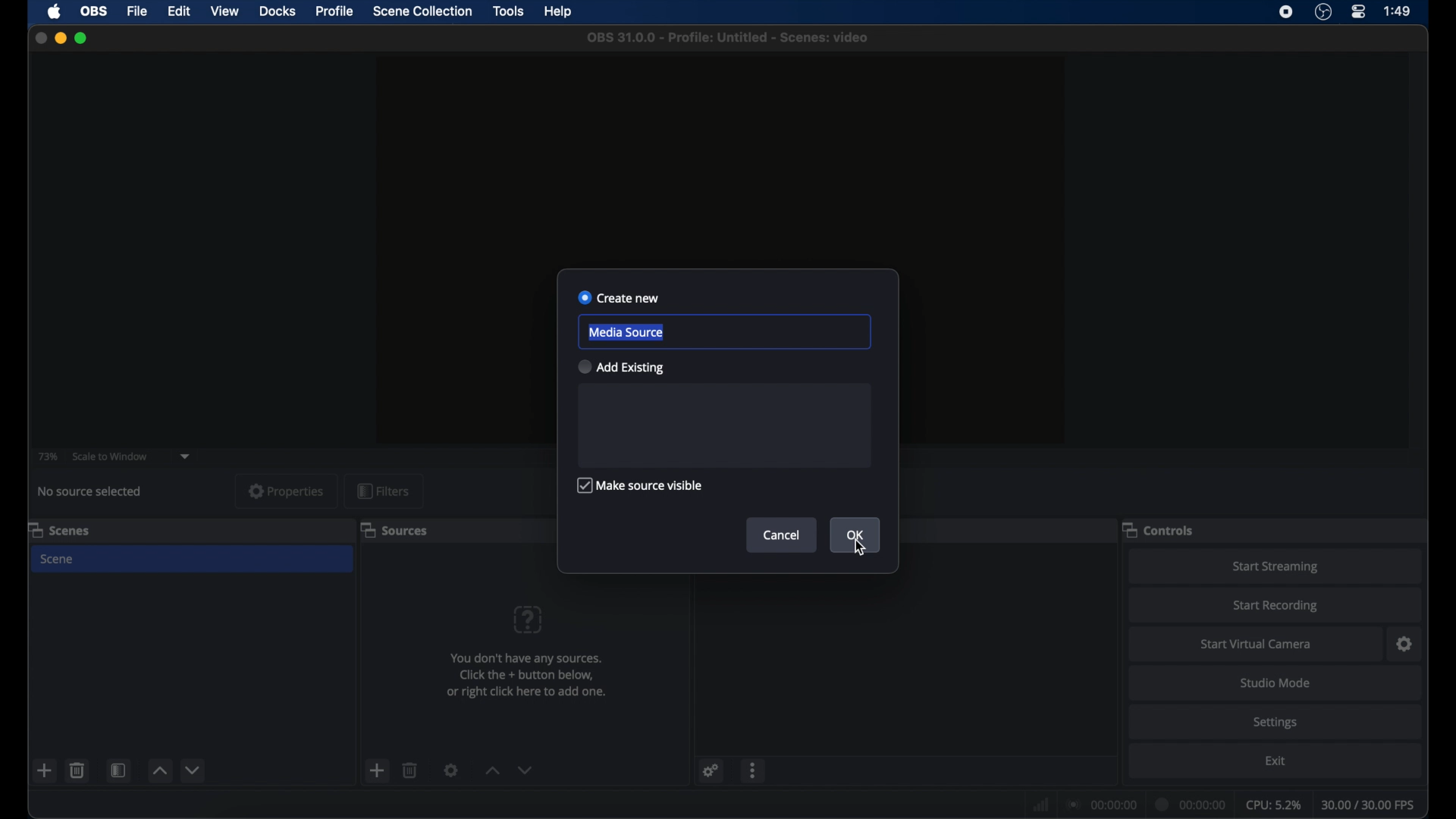  What do you see at coordinates (783, 535) in the screenshot?
I see `cancel` at bounding box center [783, 535].